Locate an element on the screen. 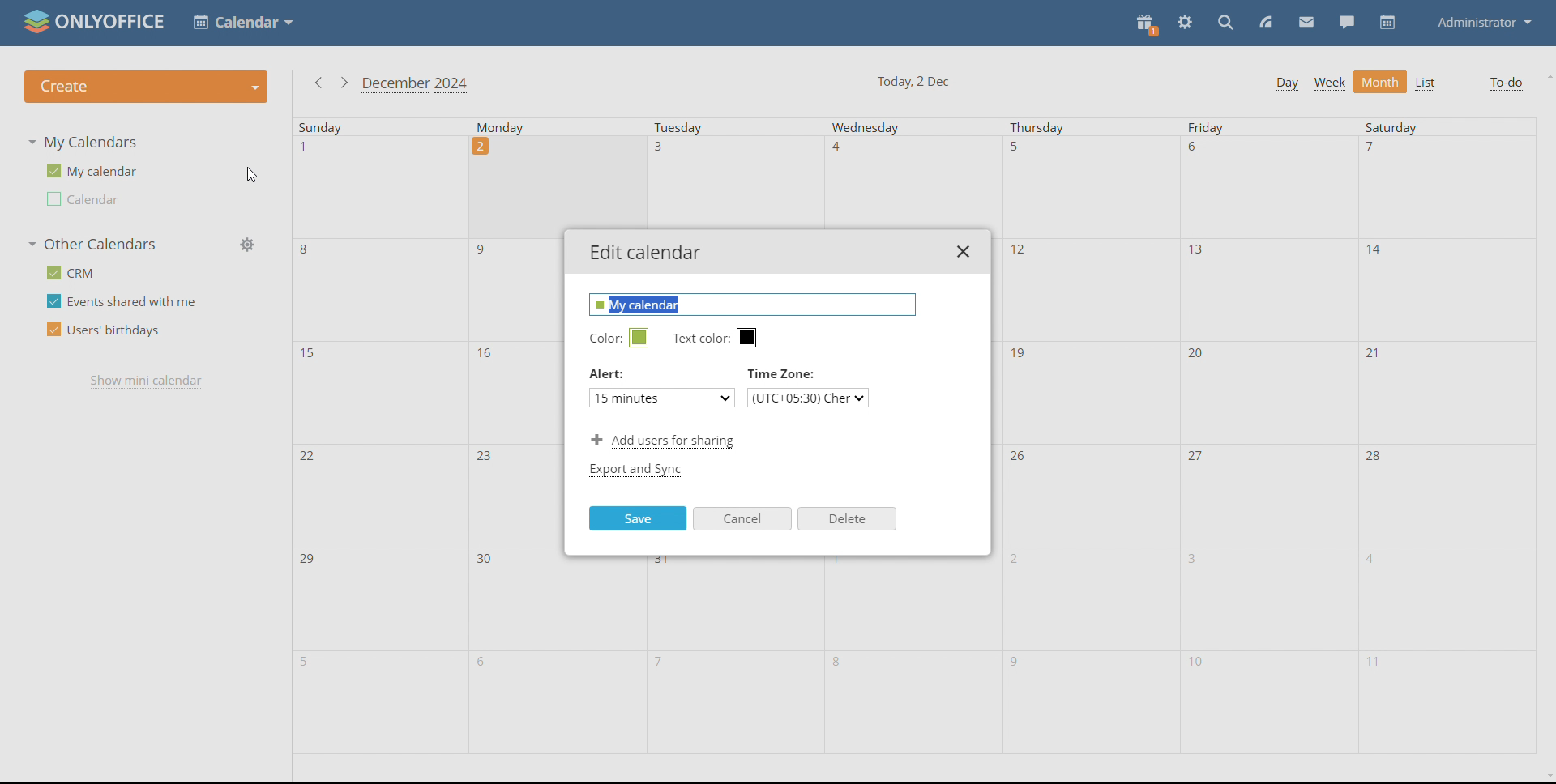 This screenshot has width=1556, height=784. to-do is located at coordinates (1506, 83).